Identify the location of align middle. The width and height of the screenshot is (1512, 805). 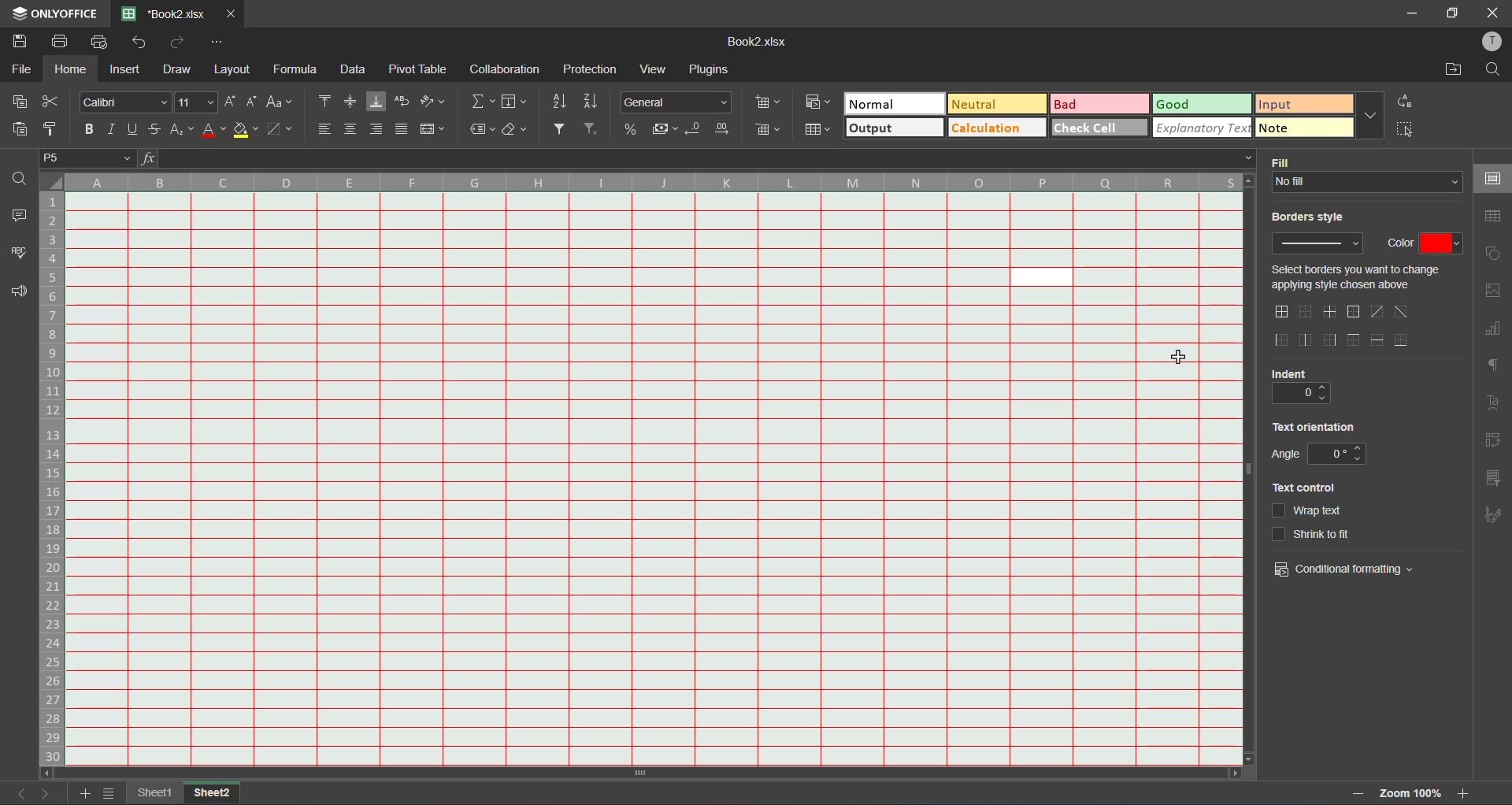
(353, 102).